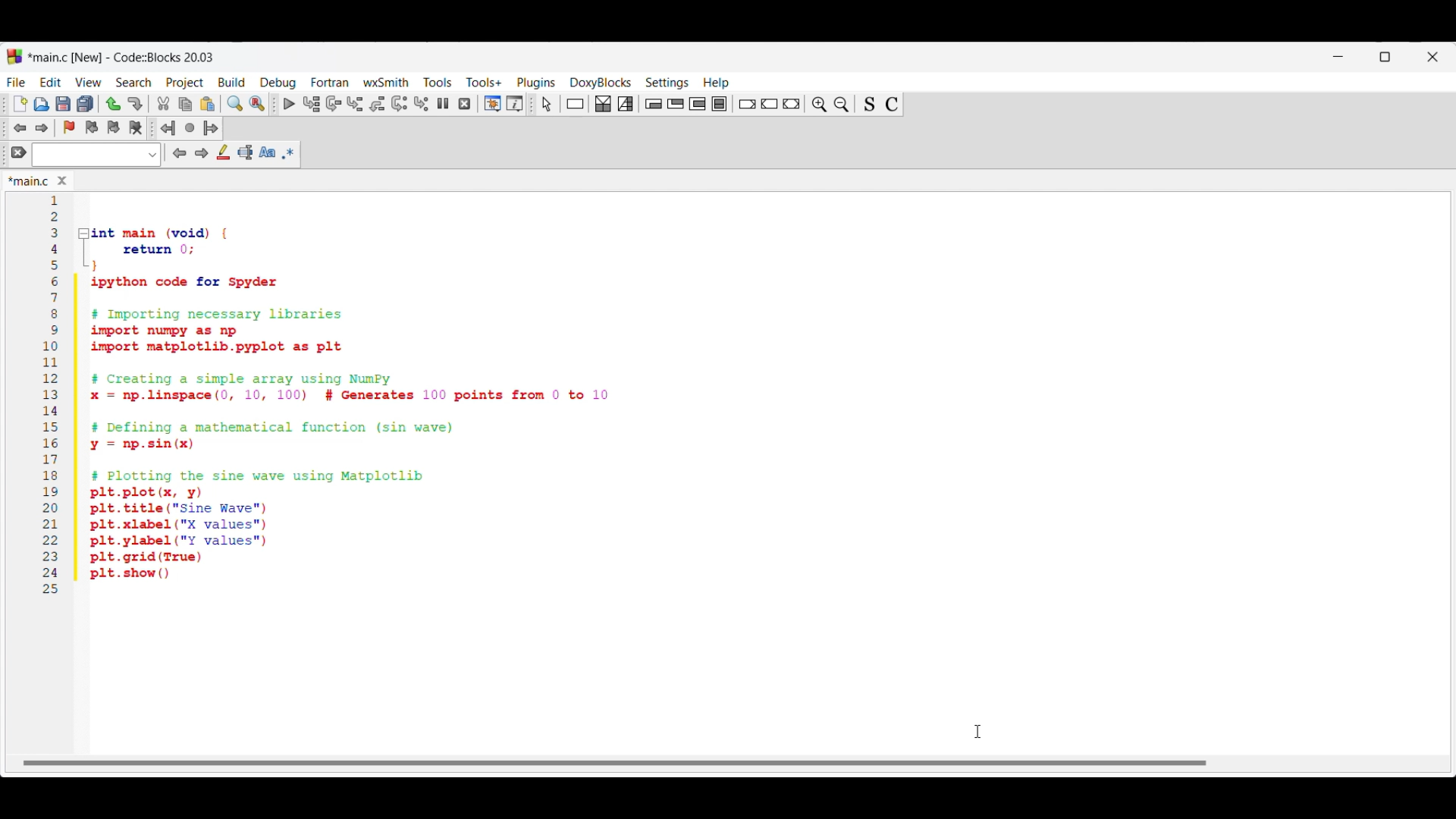  What do you see at coordinates (387, 82) in the screenshot?
I see `wxSmith menu` at bounding box center [387, 82].